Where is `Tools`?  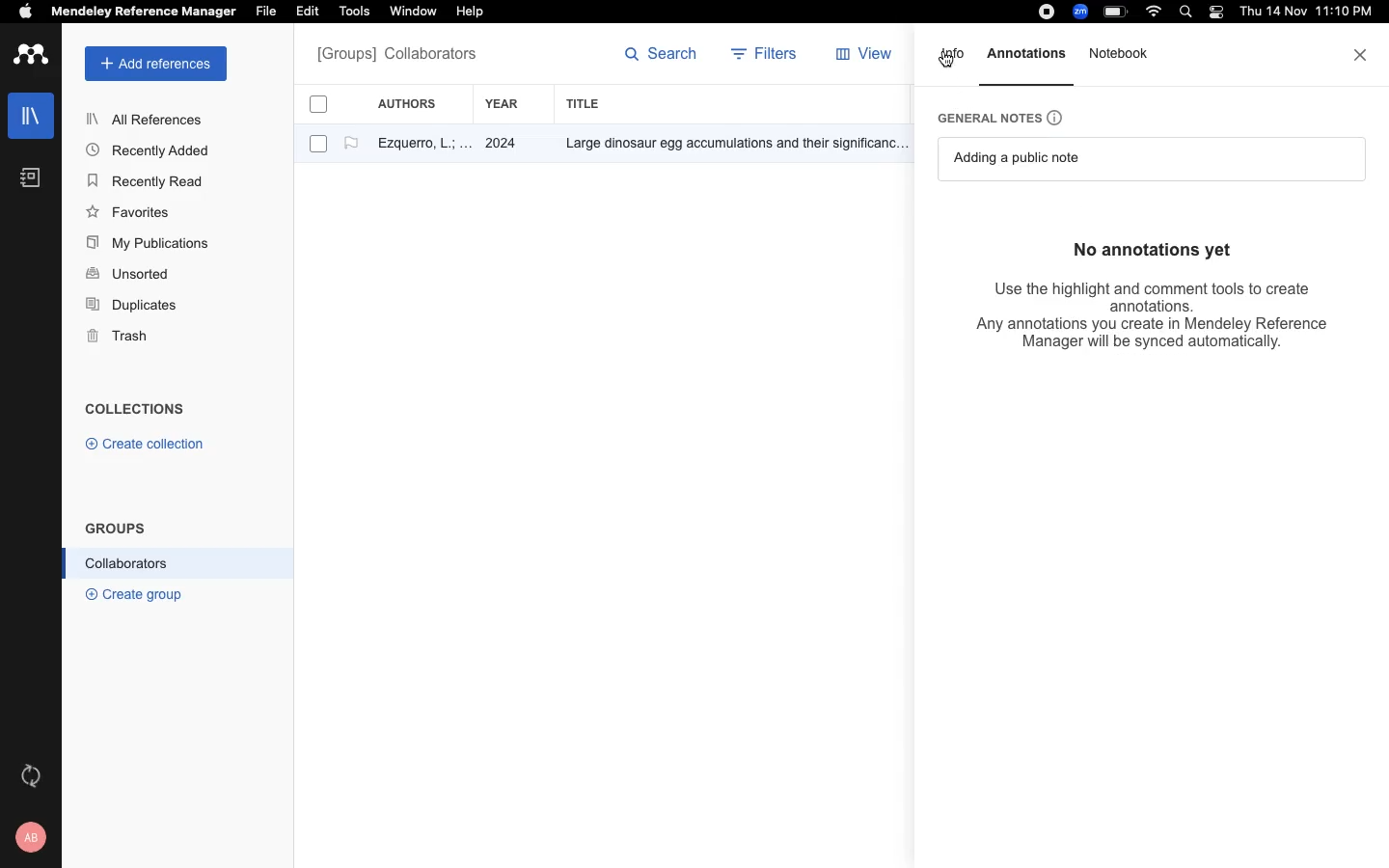
Tools is located at coordinates (354, 13).